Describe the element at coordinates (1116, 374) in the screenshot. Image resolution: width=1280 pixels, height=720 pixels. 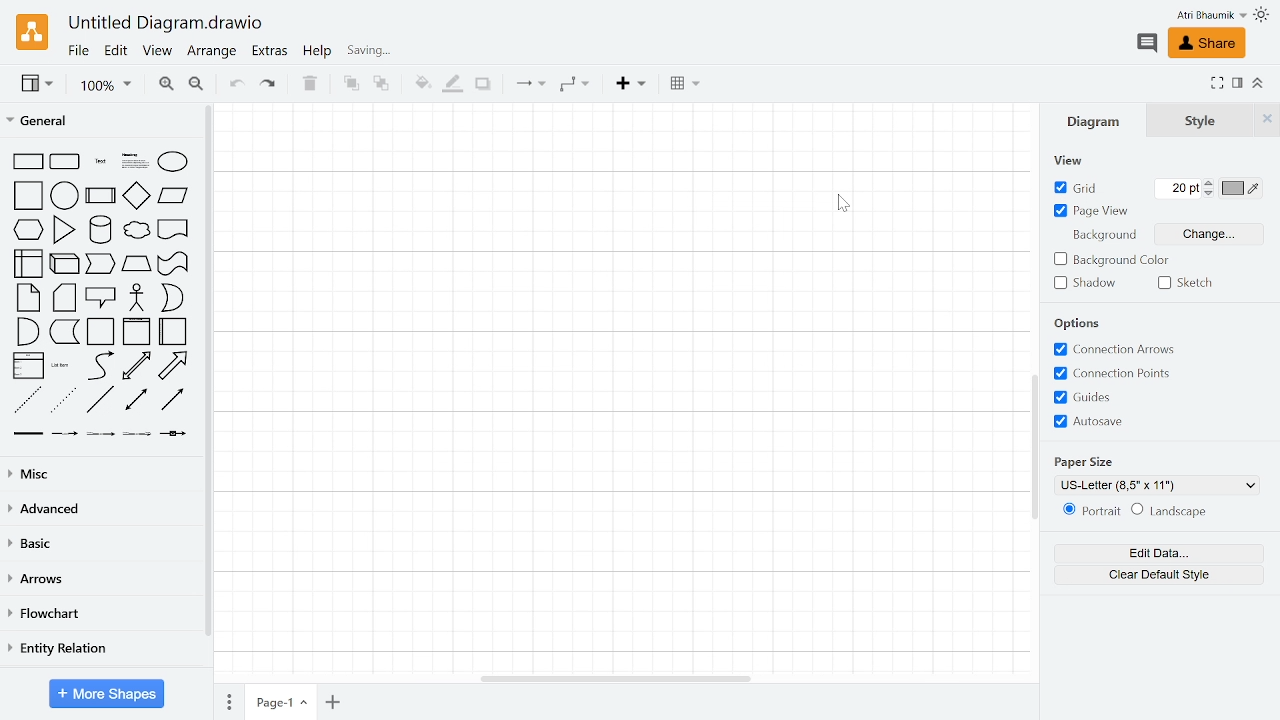
I see `Co-ordinate points` at that location.